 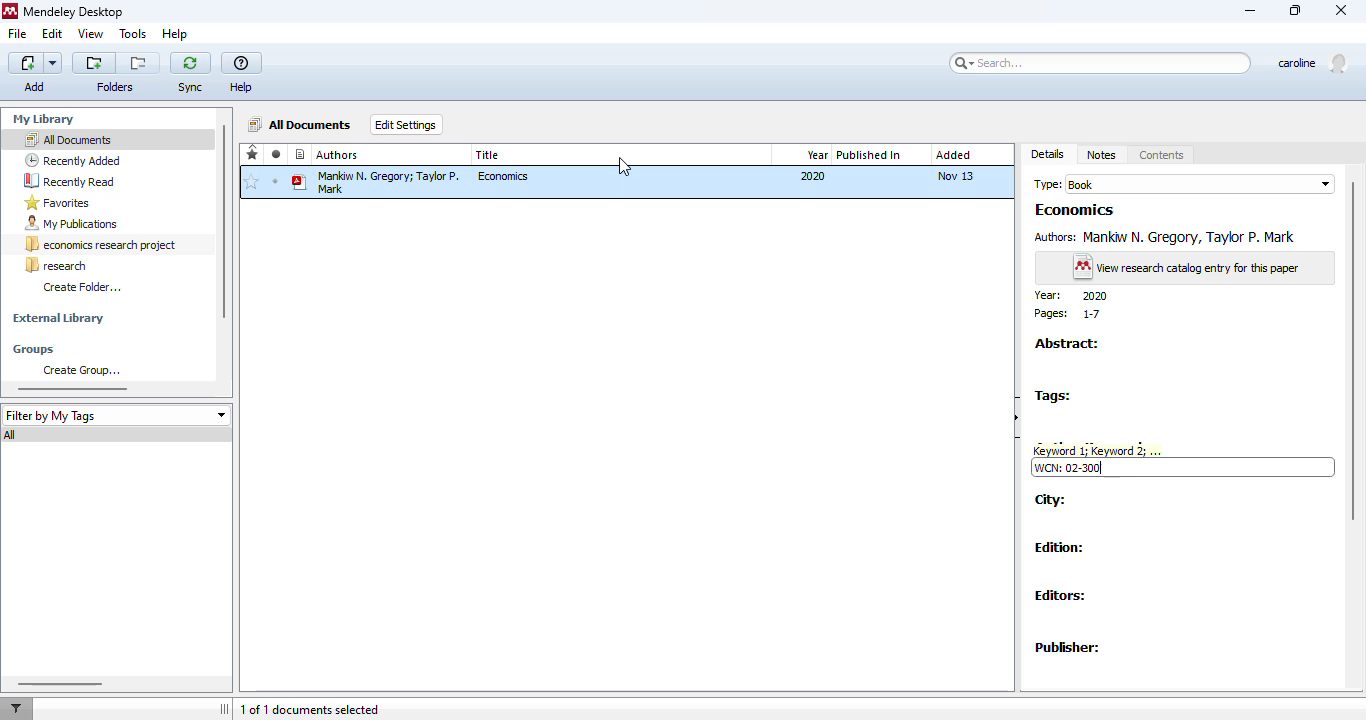 I want to click on vertical scroll bar, so click(x=1354, y=351).